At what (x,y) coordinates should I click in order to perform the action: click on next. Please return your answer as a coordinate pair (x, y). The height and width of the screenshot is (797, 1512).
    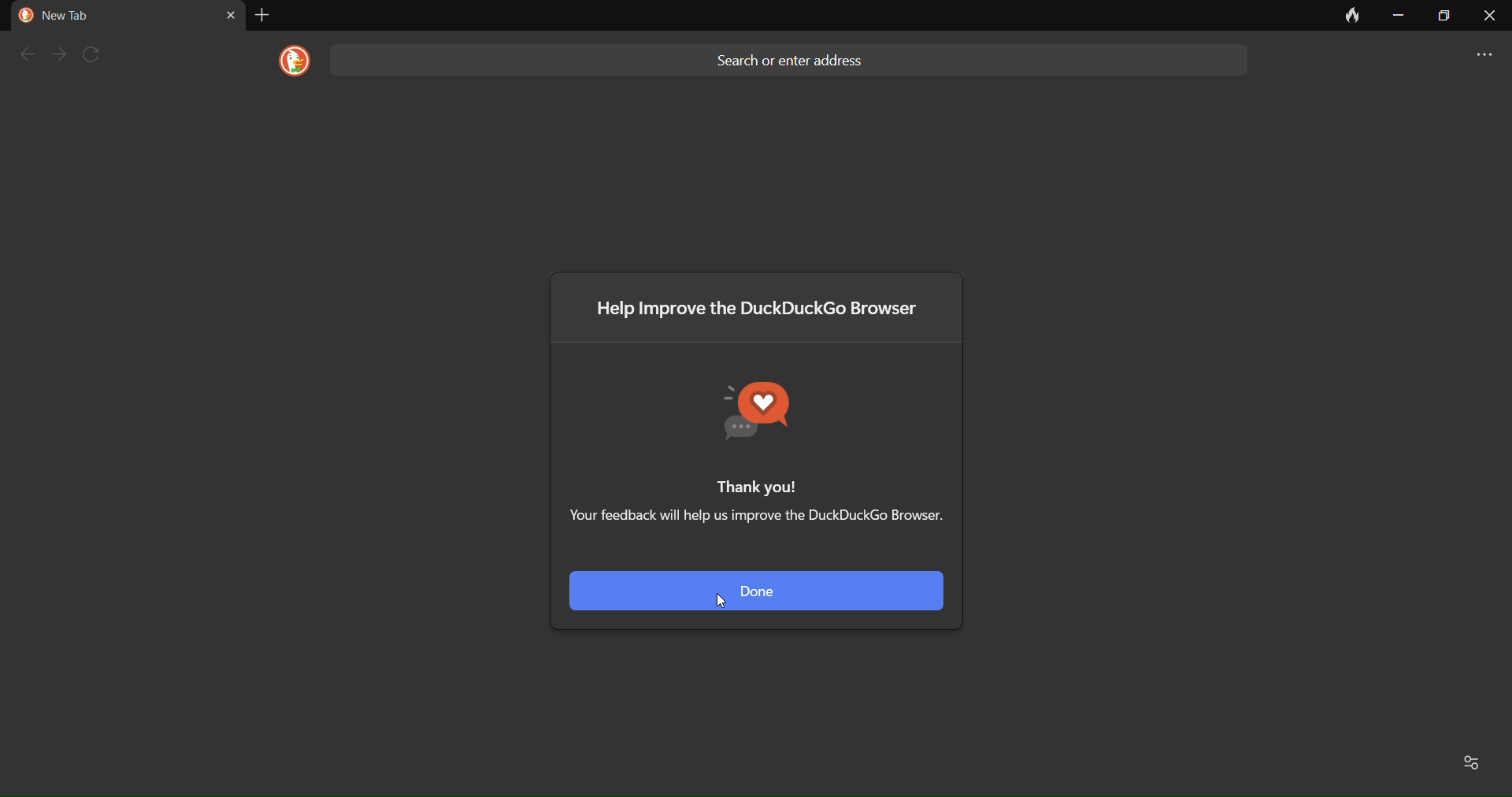
    Looking at the image, I should click on (61, 54).